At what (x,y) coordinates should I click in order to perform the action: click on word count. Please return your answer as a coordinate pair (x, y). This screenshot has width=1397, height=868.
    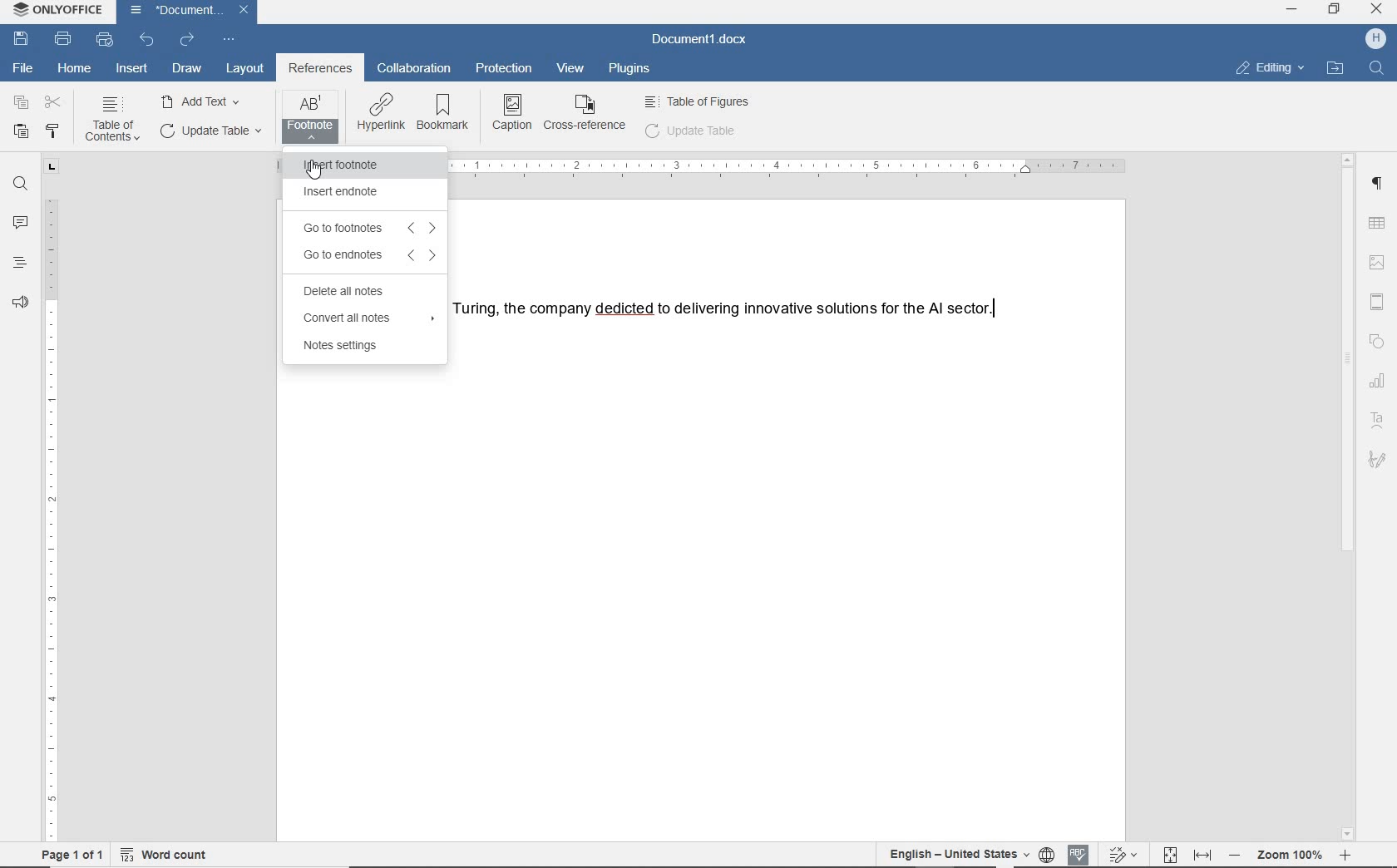
    Looking at the image, I should click on (166, 857).